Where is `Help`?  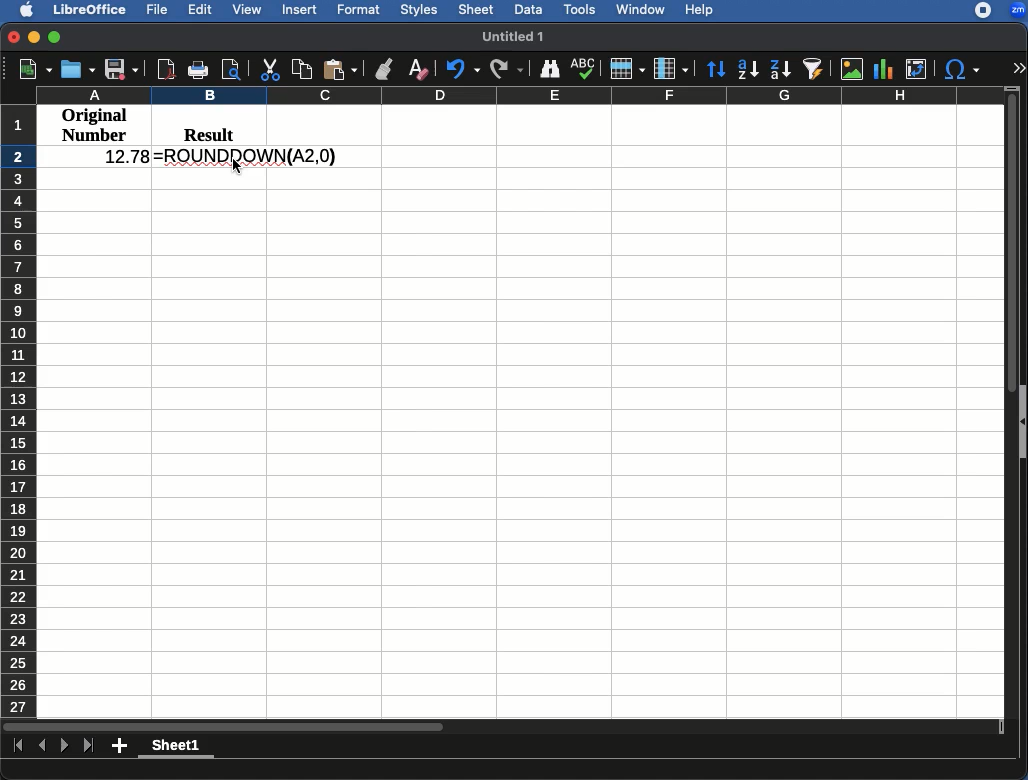 Help is located at coordinates (700, 11).